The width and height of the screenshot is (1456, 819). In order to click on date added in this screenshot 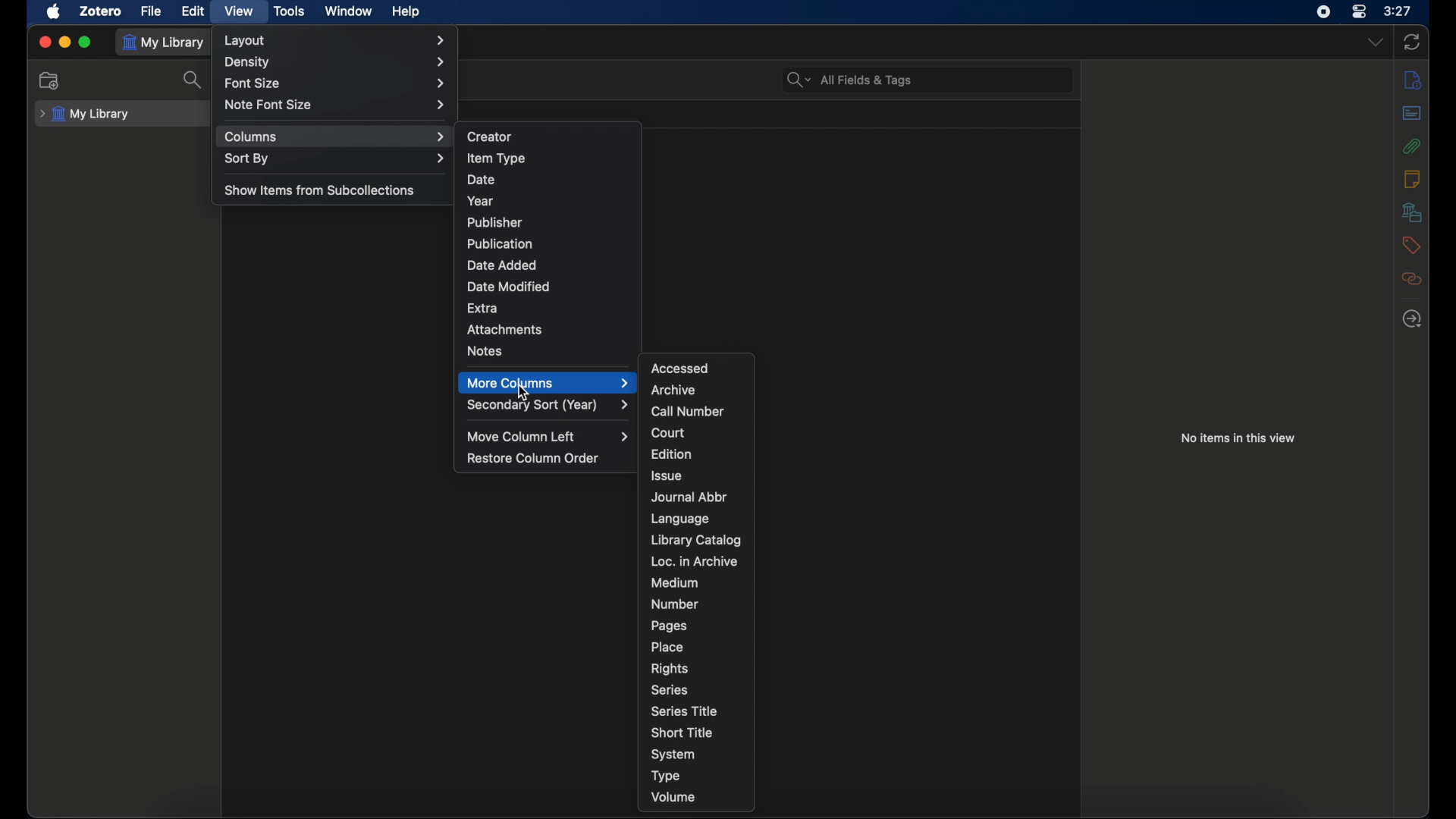, I will do `click(502, 265)`.